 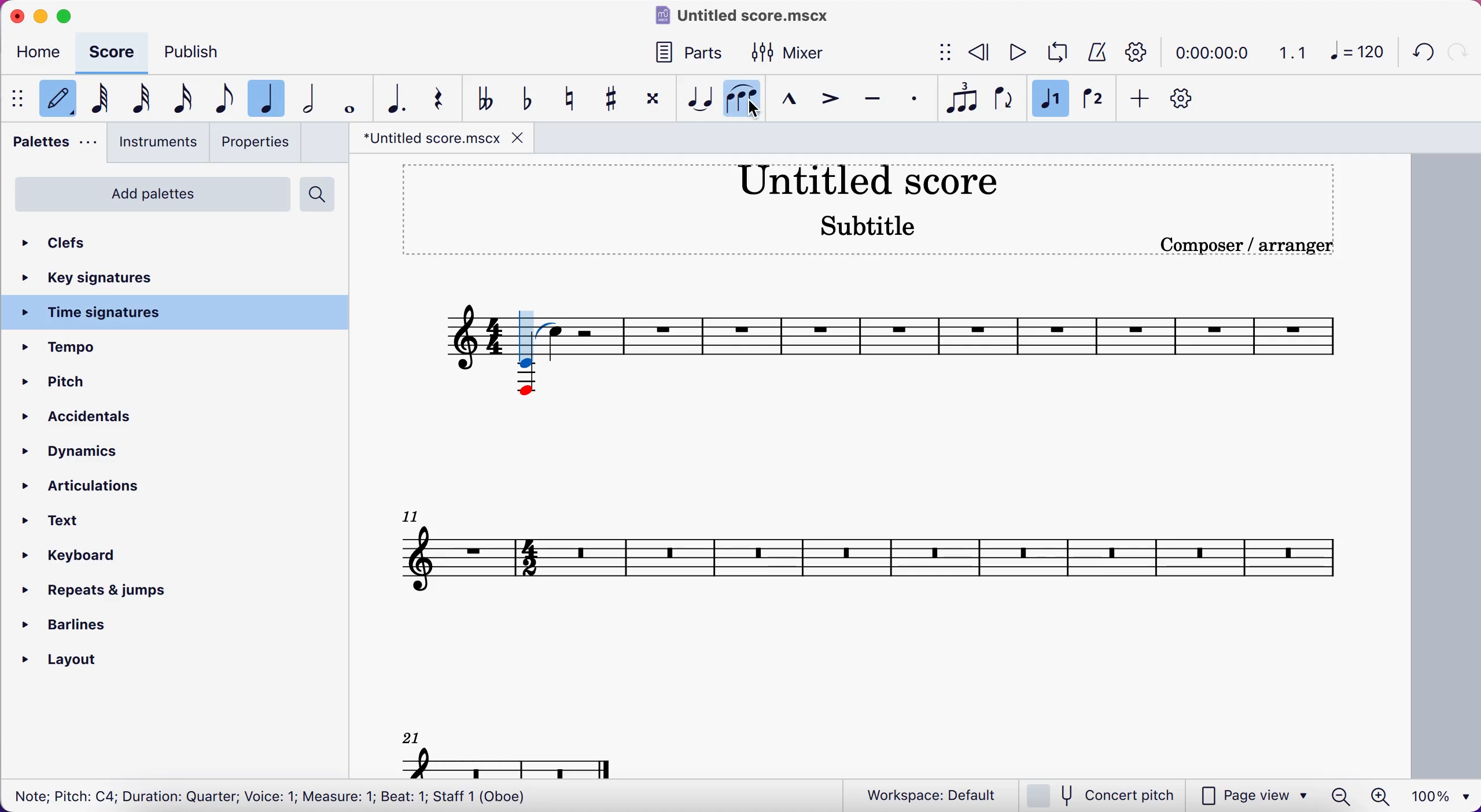 What do you see at coordinates (109, 278) in the screenshot?
I see `key signatures` at bounding box center [109, 278].